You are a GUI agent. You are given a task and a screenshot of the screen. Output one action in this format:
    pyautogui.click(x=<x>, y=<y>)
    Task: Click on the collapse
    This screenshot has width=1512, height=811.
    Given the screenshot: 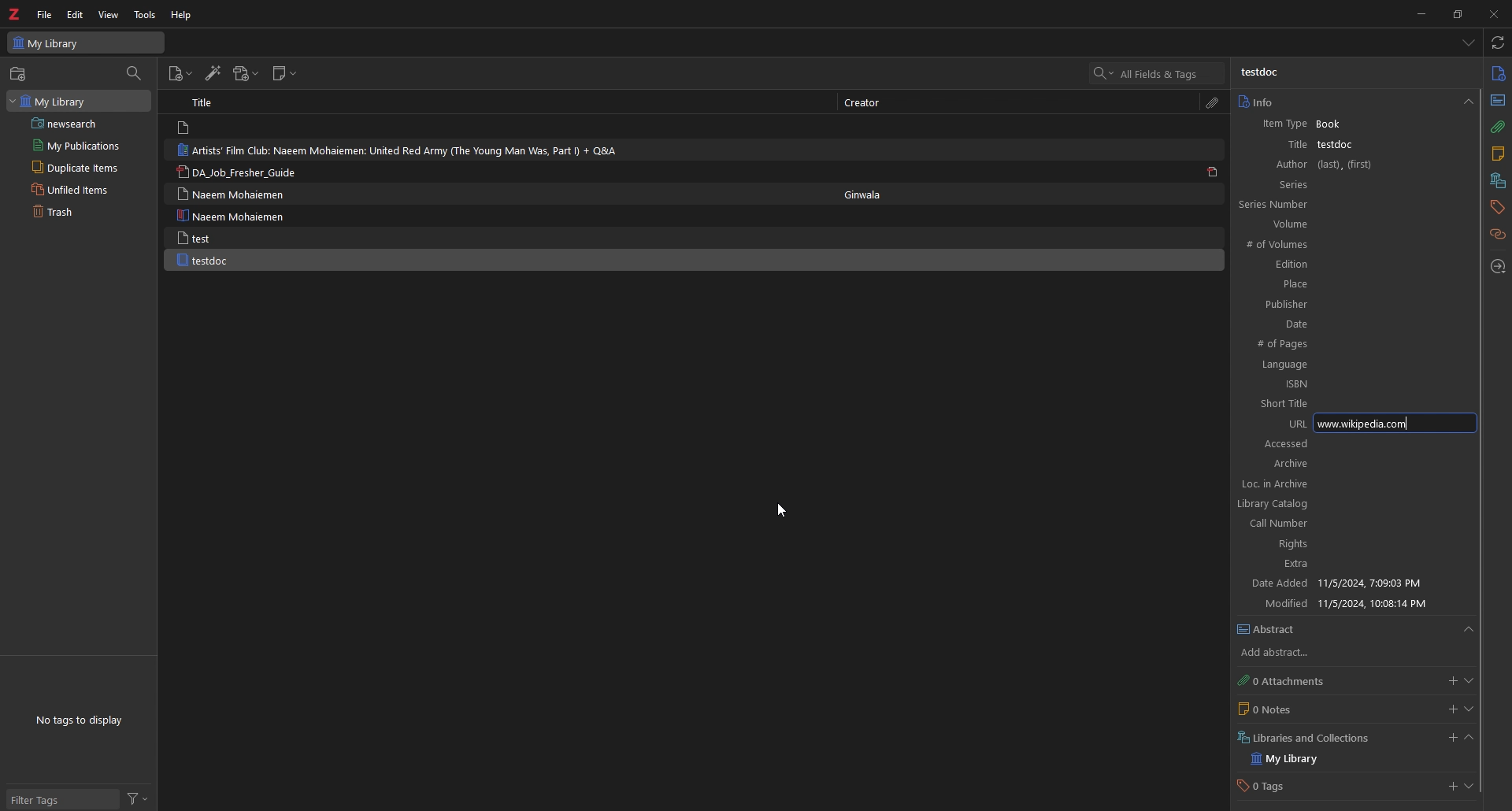 What is the action you would take?
    pyautogui.click(x=1470, y=738)
    